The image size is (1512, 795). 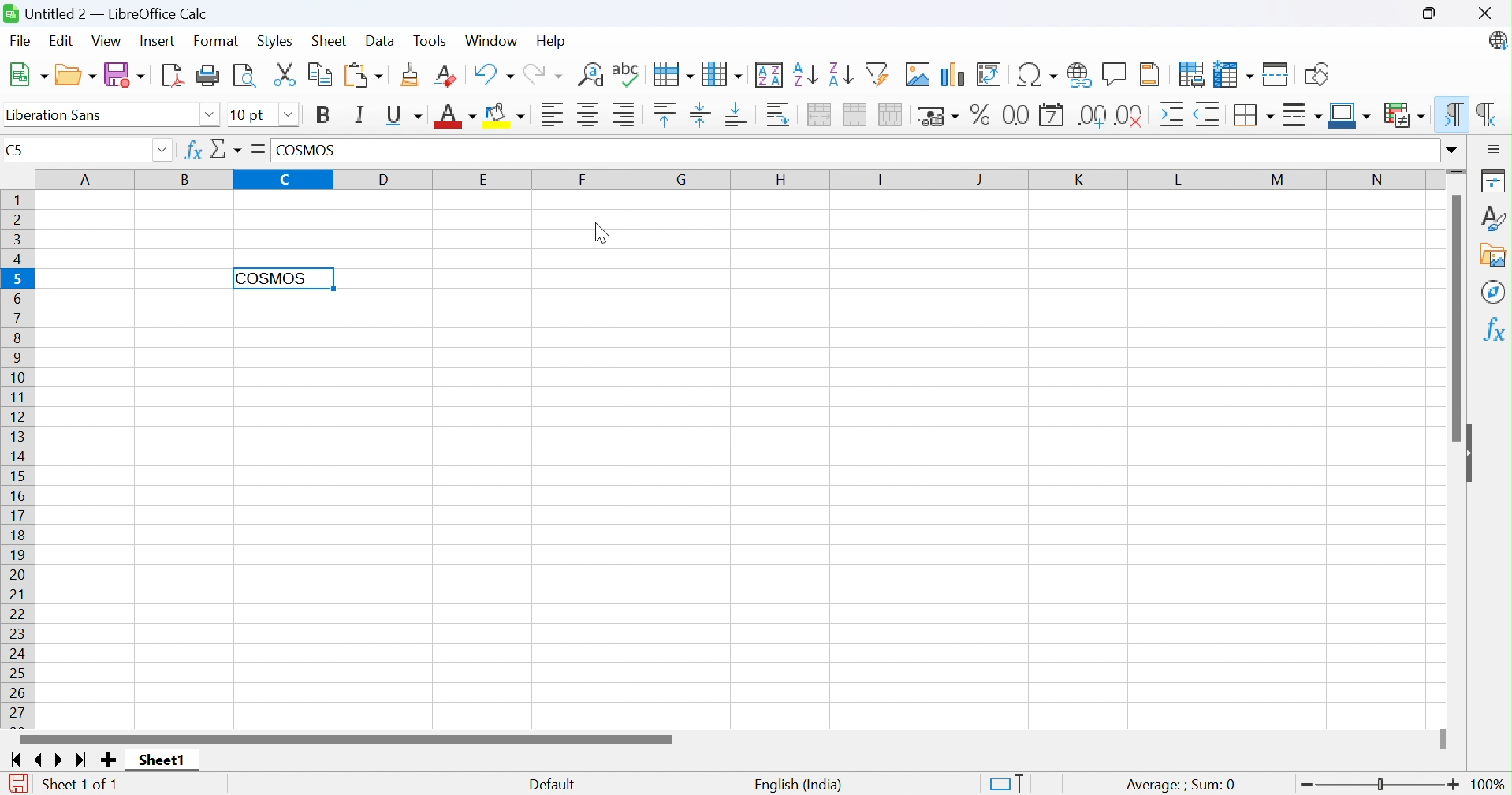 I want to click on Scroll to first sheet, so click(x=20, y=762).